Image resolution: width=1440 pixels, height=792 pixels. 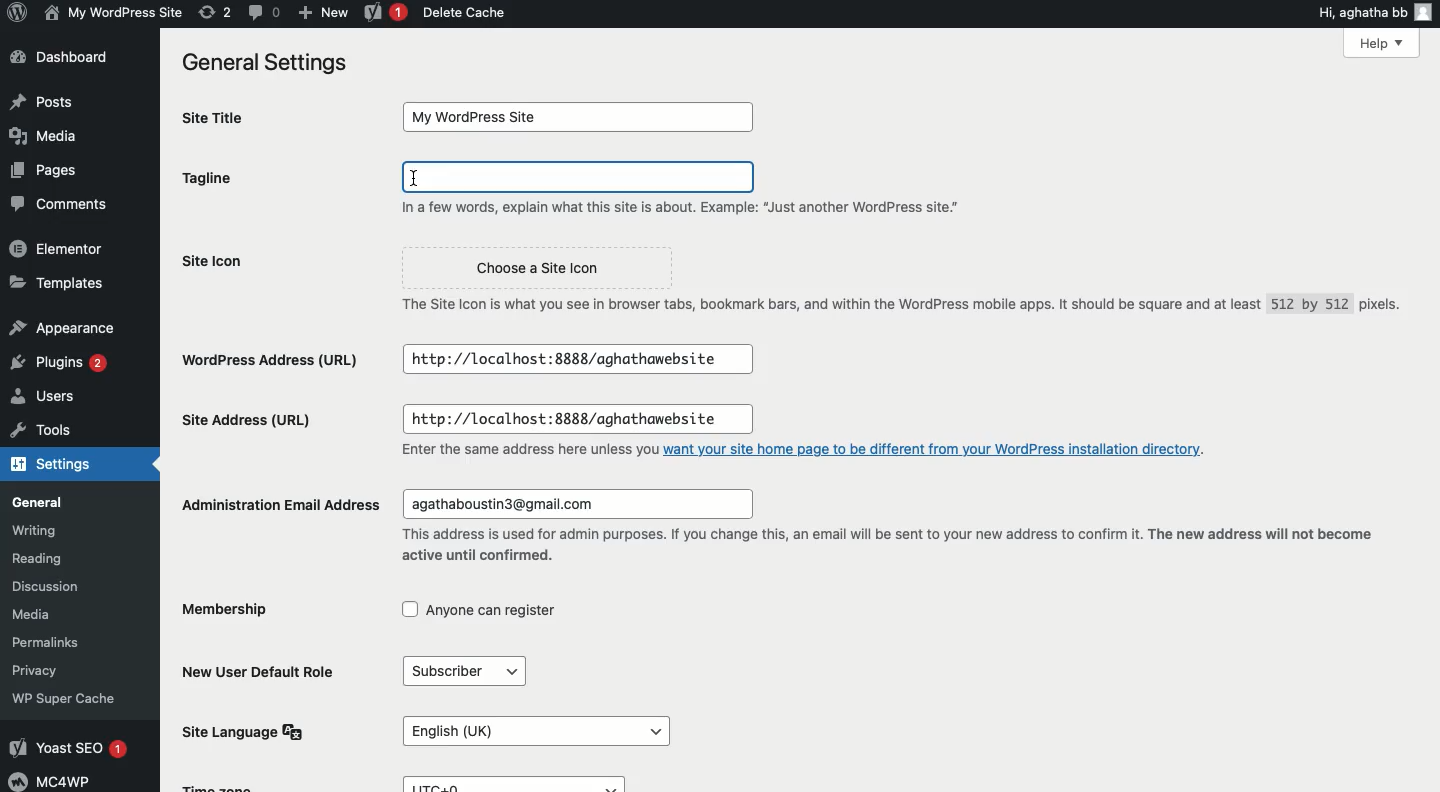 What do you see at coordinates (49, 556) in the screenshot?
I see `Reading` at bounding box center [49, 556].